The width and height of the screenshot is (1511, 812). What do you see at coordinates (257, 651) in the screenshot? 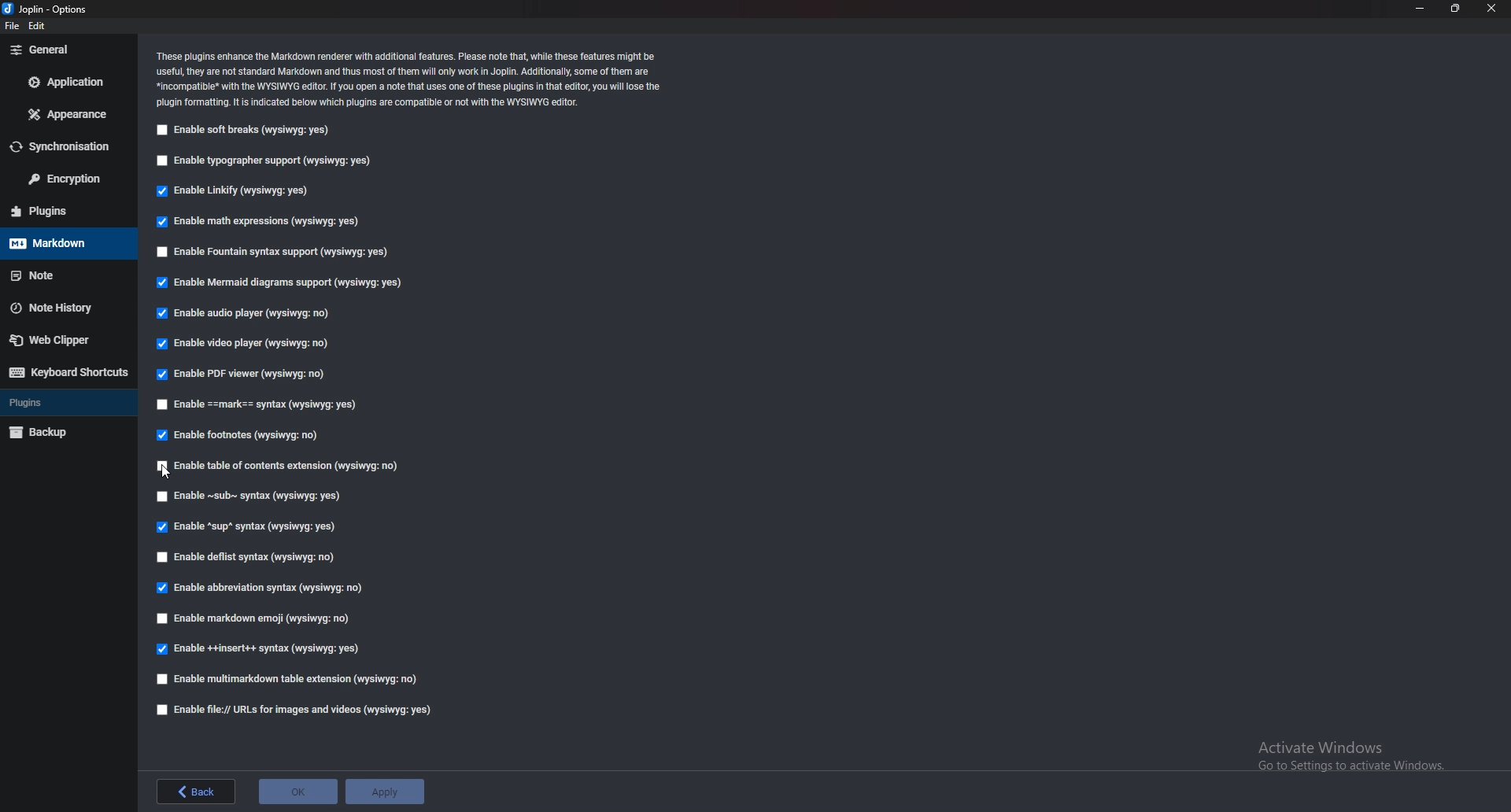
I see `Edible insert syntax` at bounding box center [257, 651].